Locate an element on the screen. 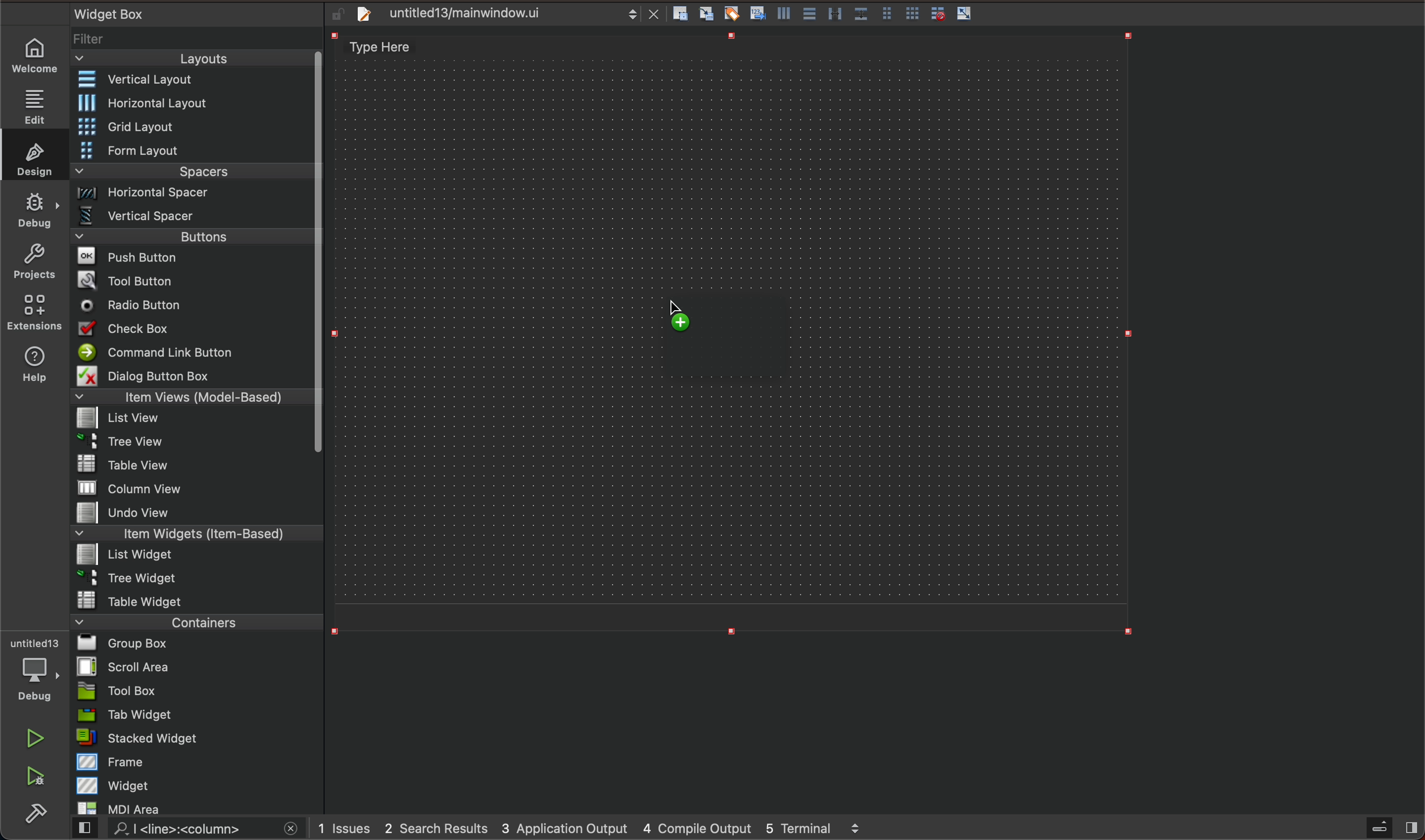 This screenshot has height=840, width=1425. undo view is located at coordinates (192, 513).